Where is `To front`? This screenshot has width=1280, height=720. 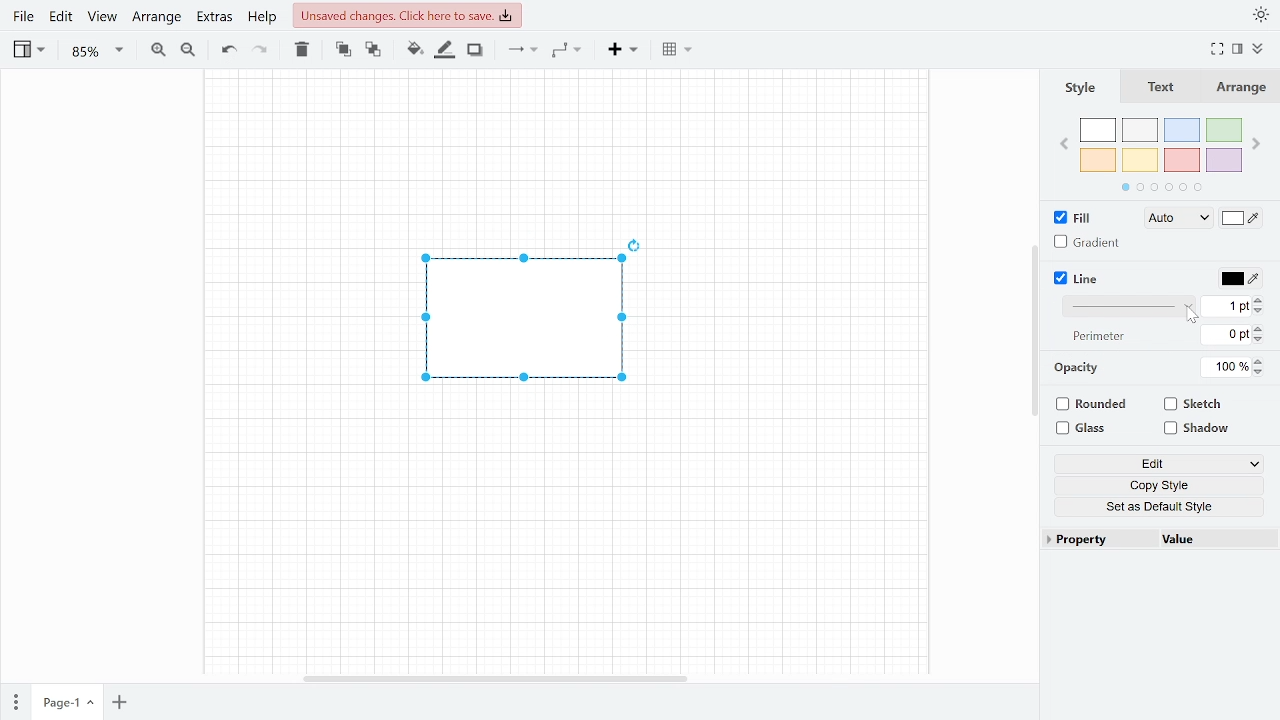
To front is located at coordinates (343, 50).